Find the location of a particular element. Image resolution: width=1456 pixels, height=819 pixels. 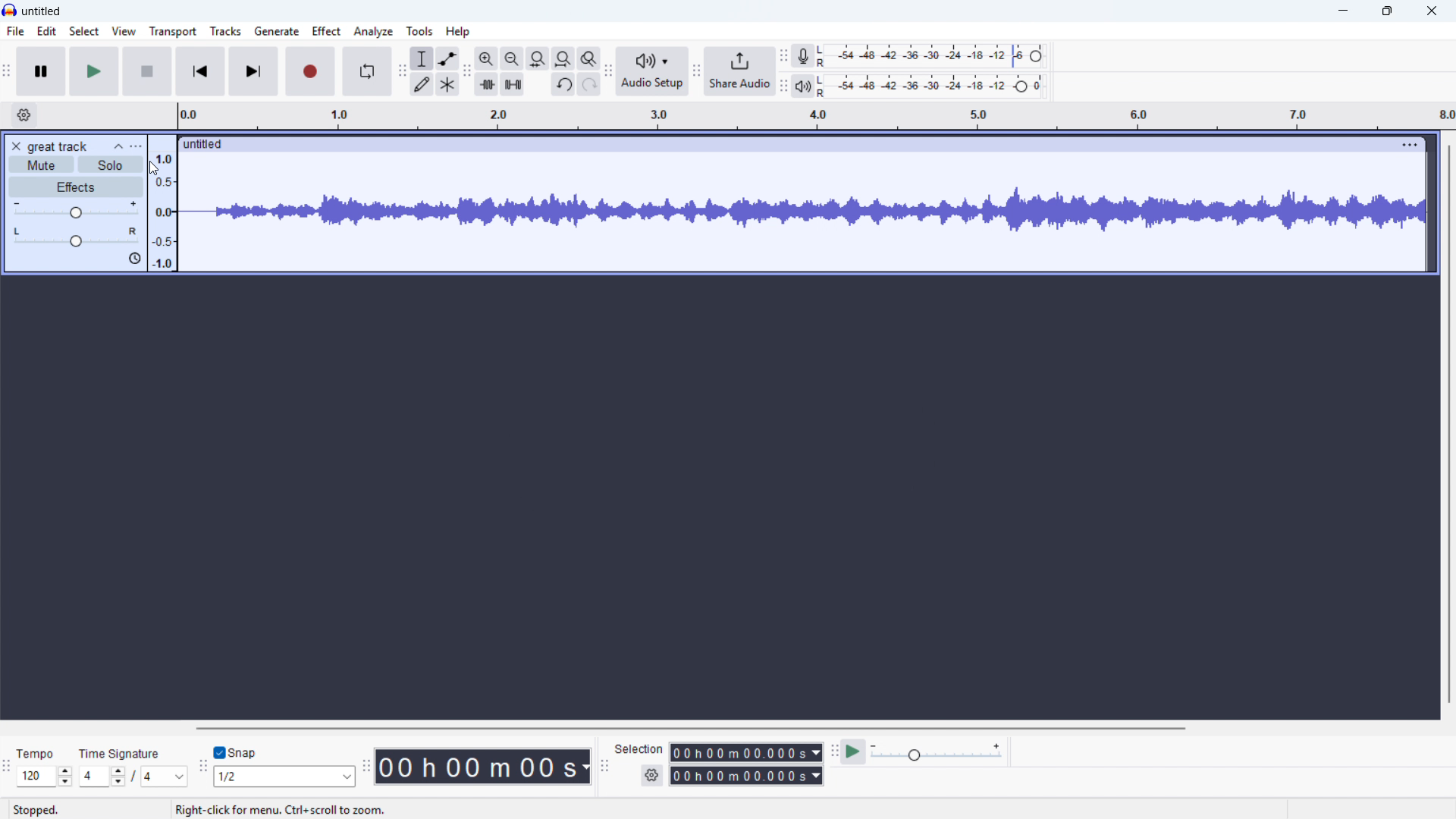

Time toolbar  is located at coordinates (366, 768).